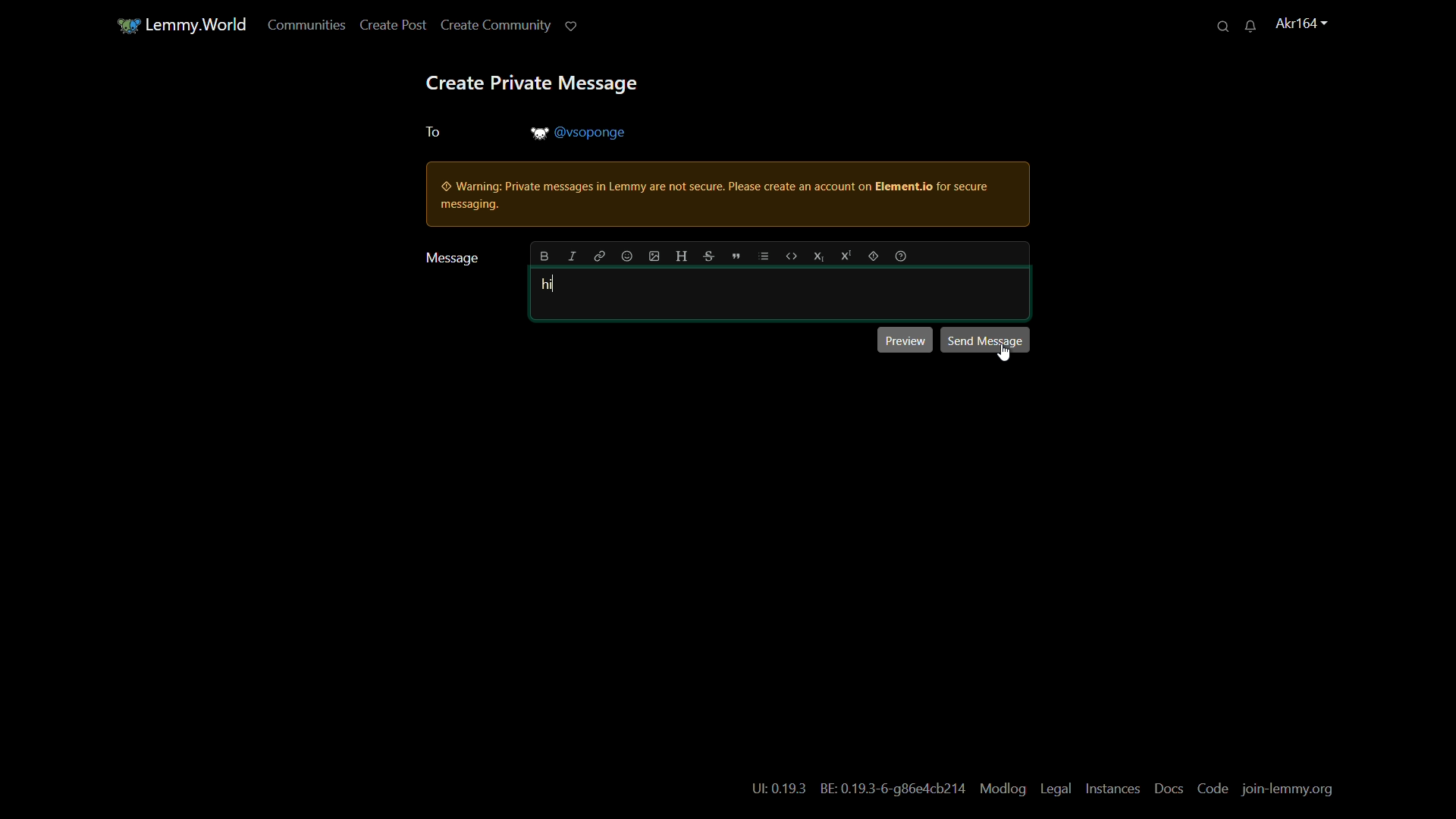 The height and width of the screenshot is (819, 1456). Describe the element at coordinates (858, 789) in the screenshot. I see `text` at that location.